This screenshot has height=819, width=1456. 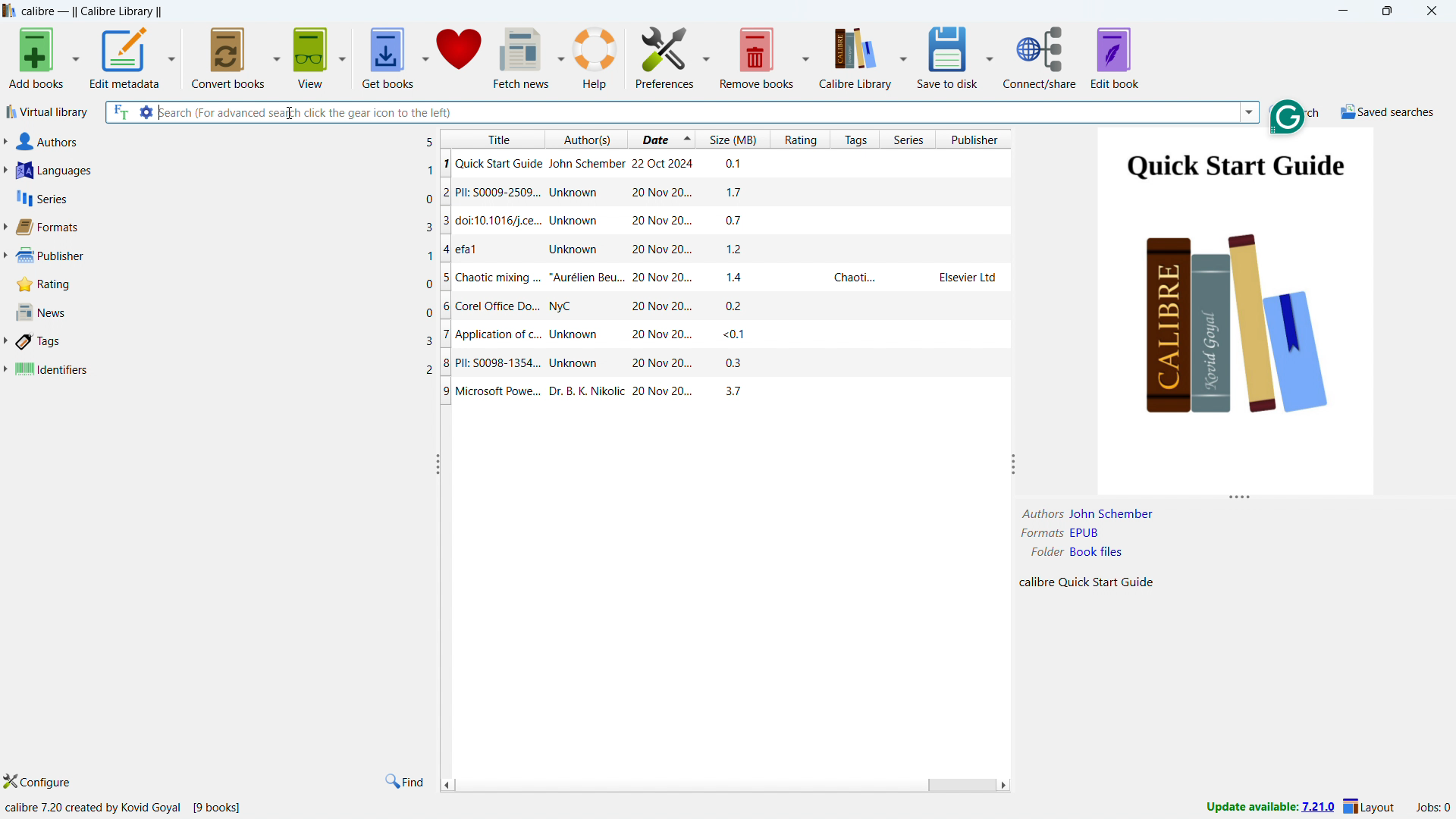 I want to click on Calibre Quick Start Guide, so click(x=1084, y=584).